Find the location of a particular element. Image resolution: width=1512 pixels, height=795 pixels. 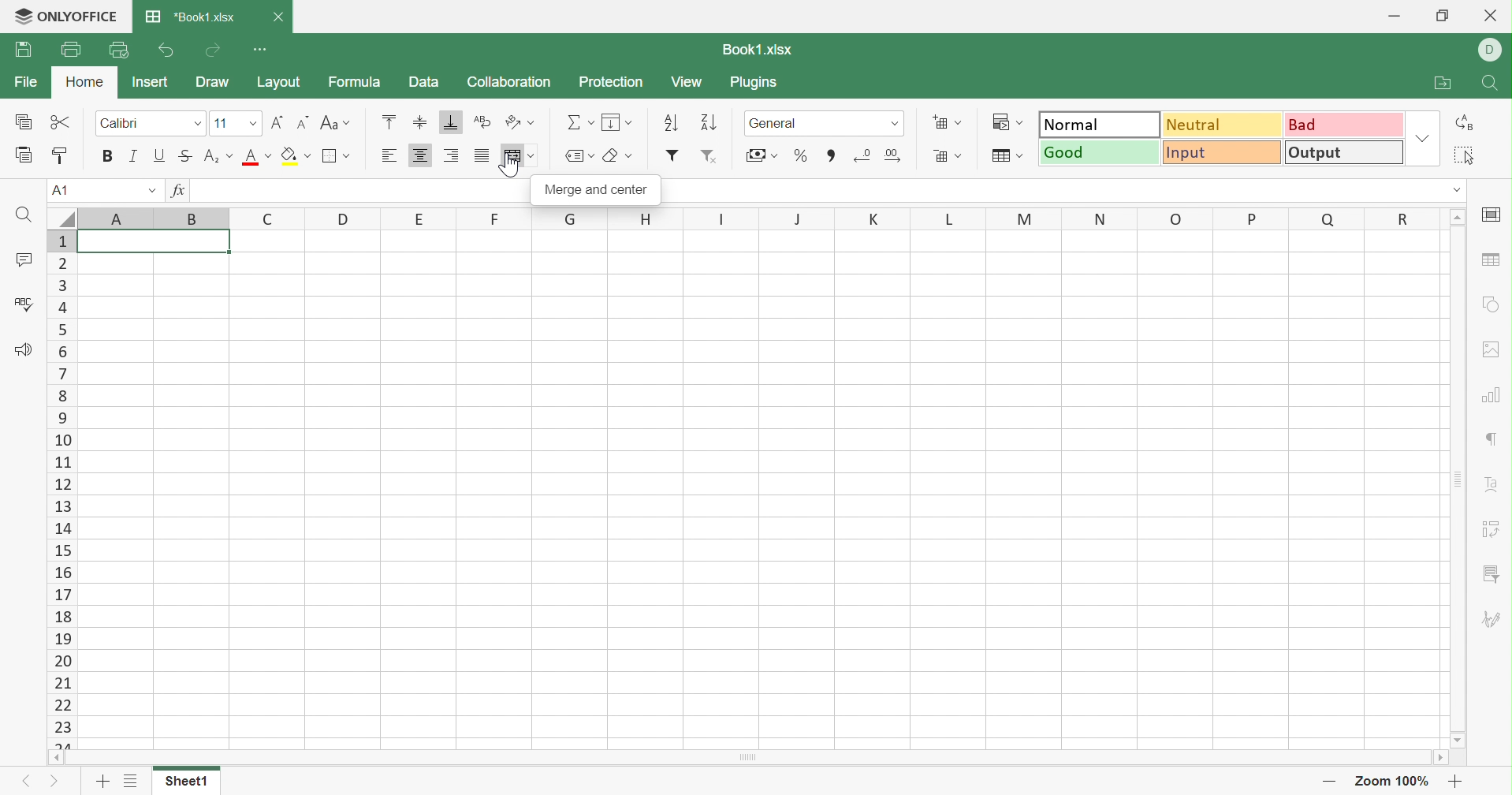

File is located at coordinates (24, 84).